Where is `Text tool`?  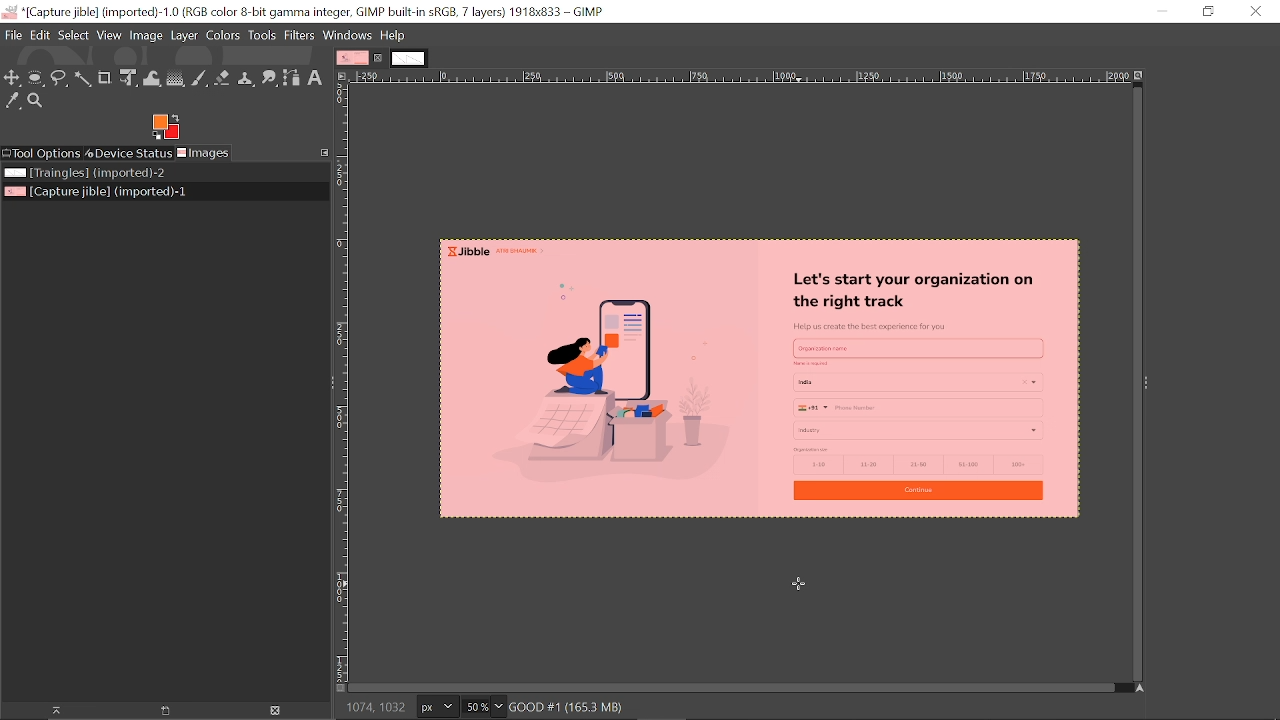 Text tool is located at coordinates (316, 77).